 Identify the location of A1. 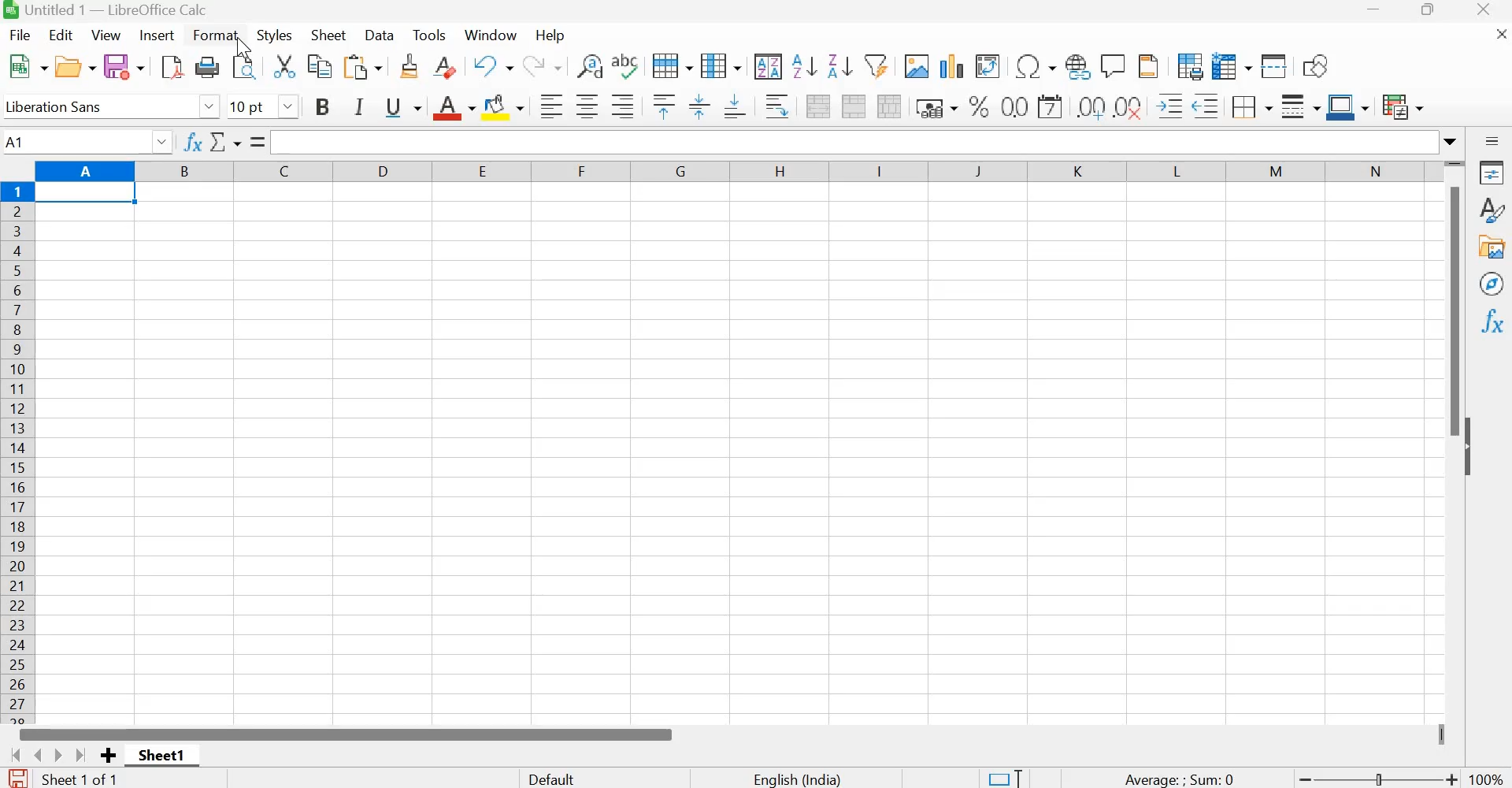
(90, 139).